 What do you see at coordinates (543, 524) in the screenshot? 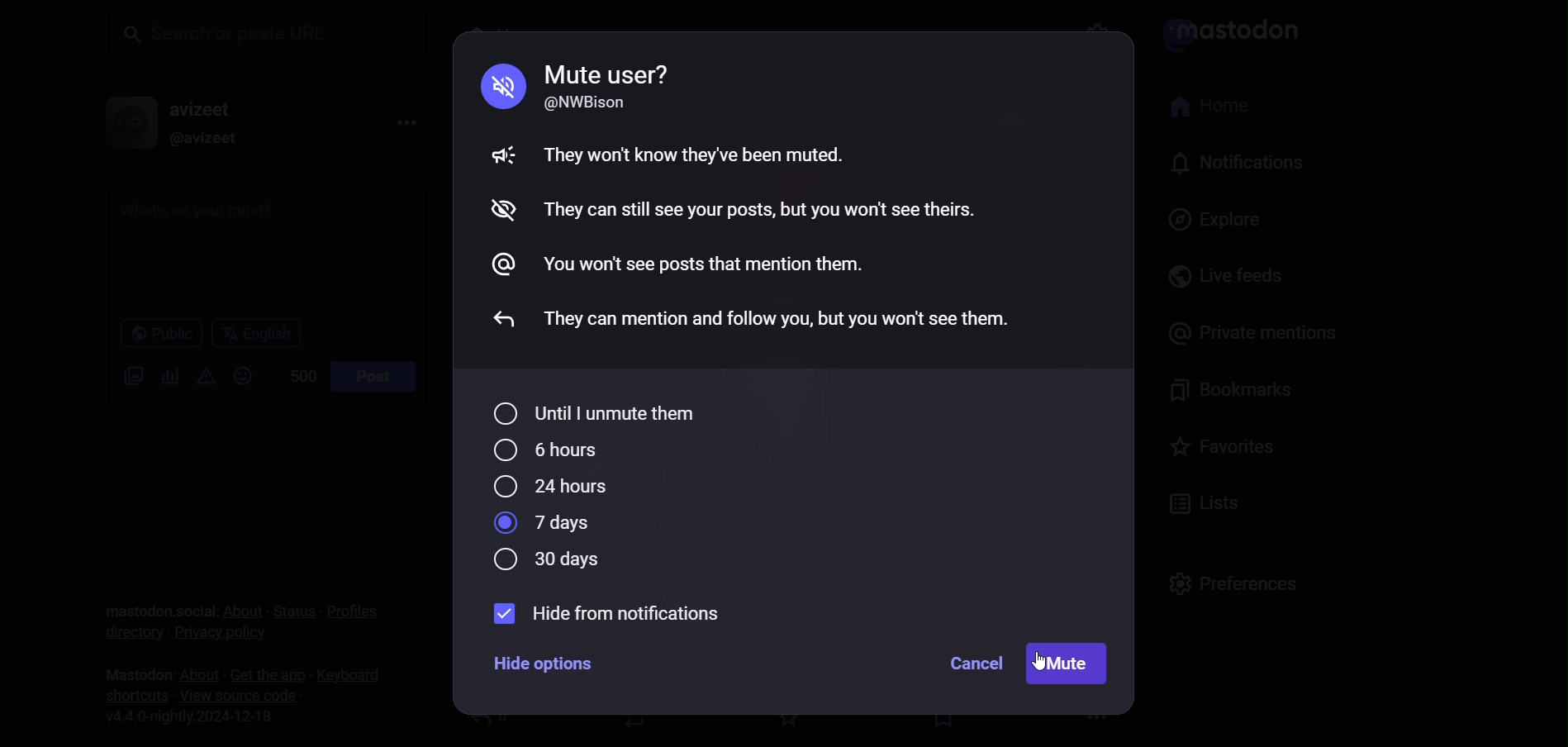
I see `7 days selected` at bounding box center [543, 524].